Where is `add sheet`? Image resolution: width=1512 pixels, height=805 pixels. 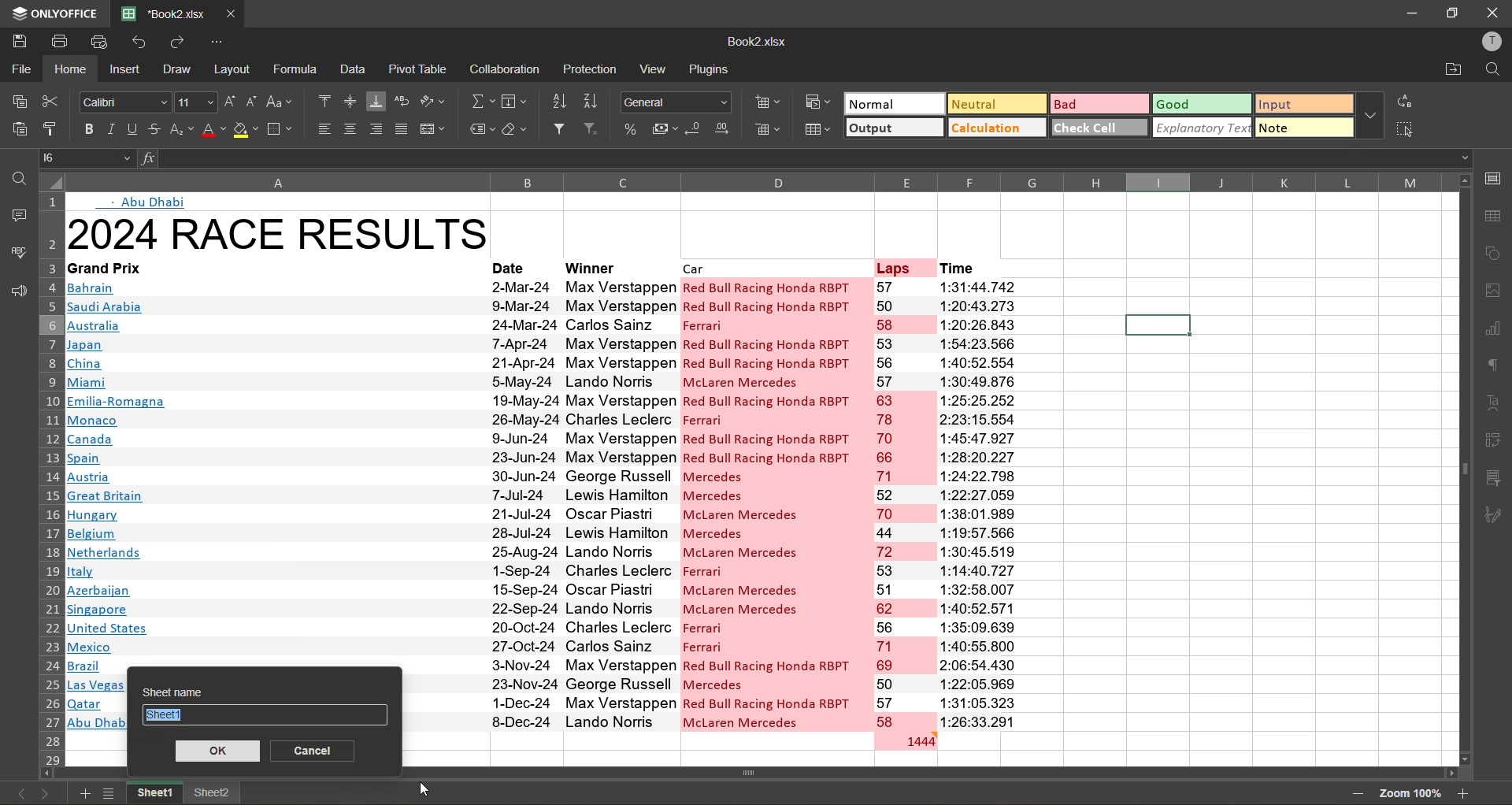 add sheet is located at coordinates (86, 792).